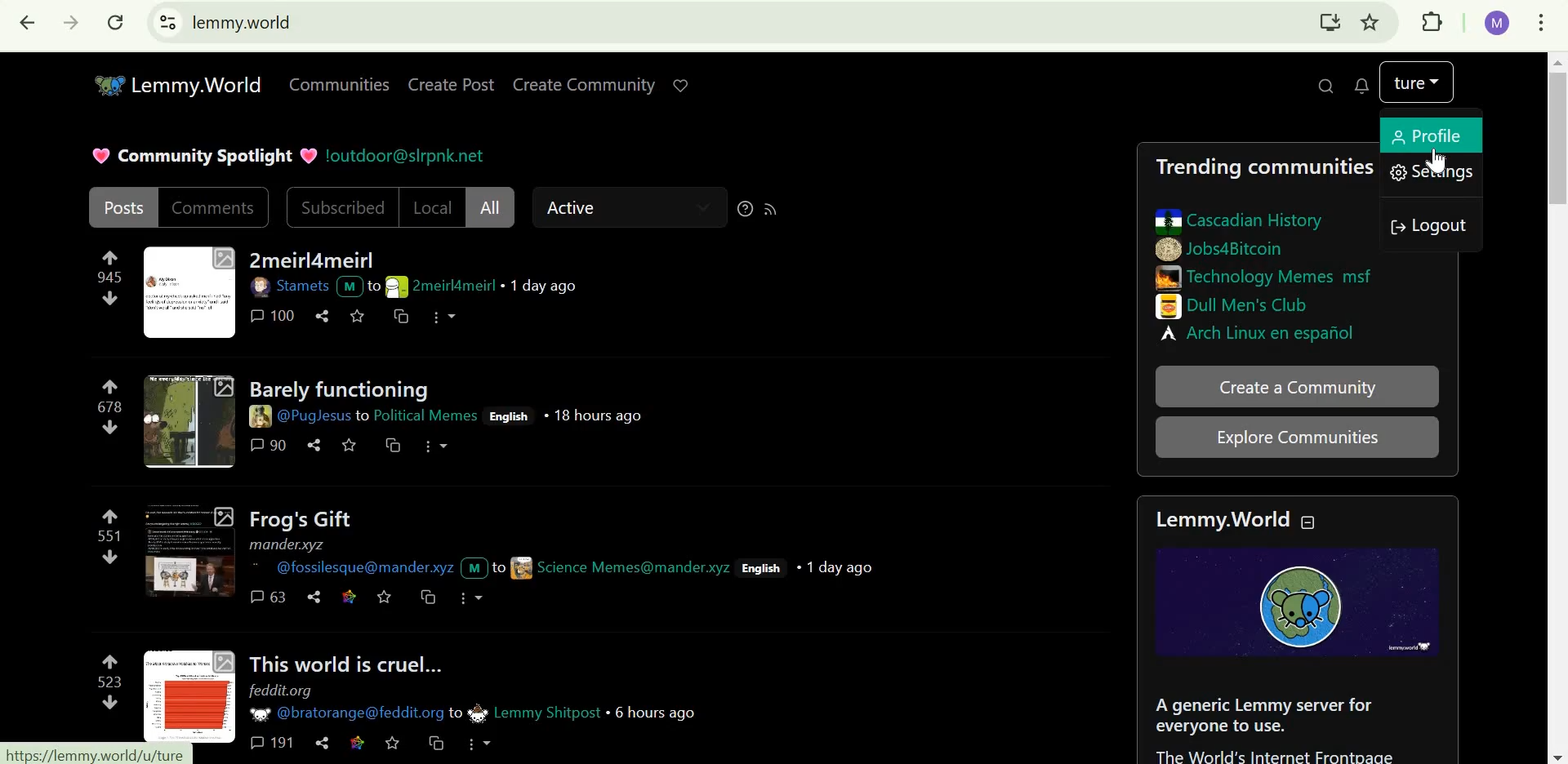 The image size is (1568, 764). I want to click on RSS, so click(775, 207).